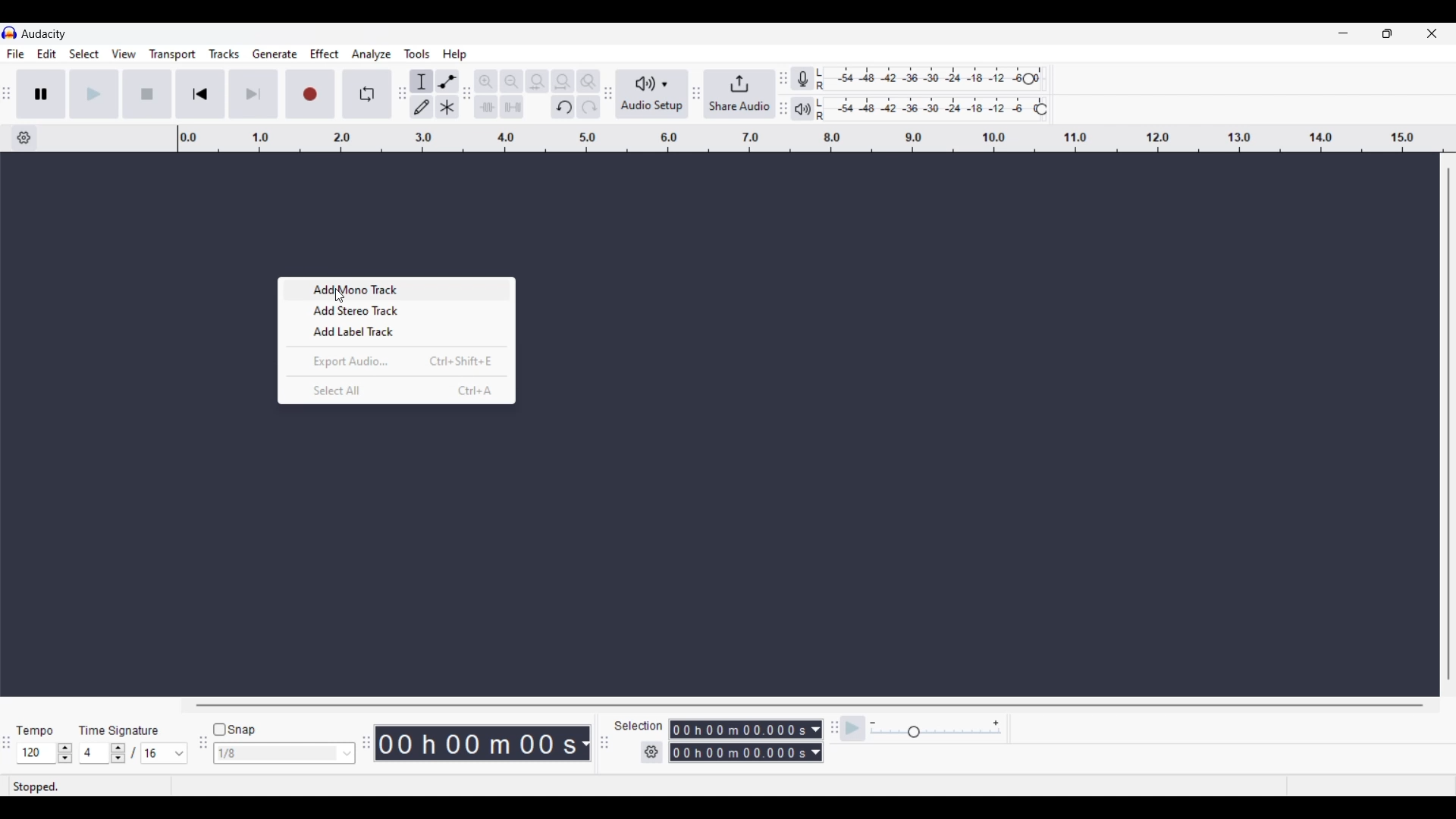 The image size is (1456, 819). Describe the element at coordinates (485, 106) in the screenshot. I see `Trim audio outside selection` at that location.